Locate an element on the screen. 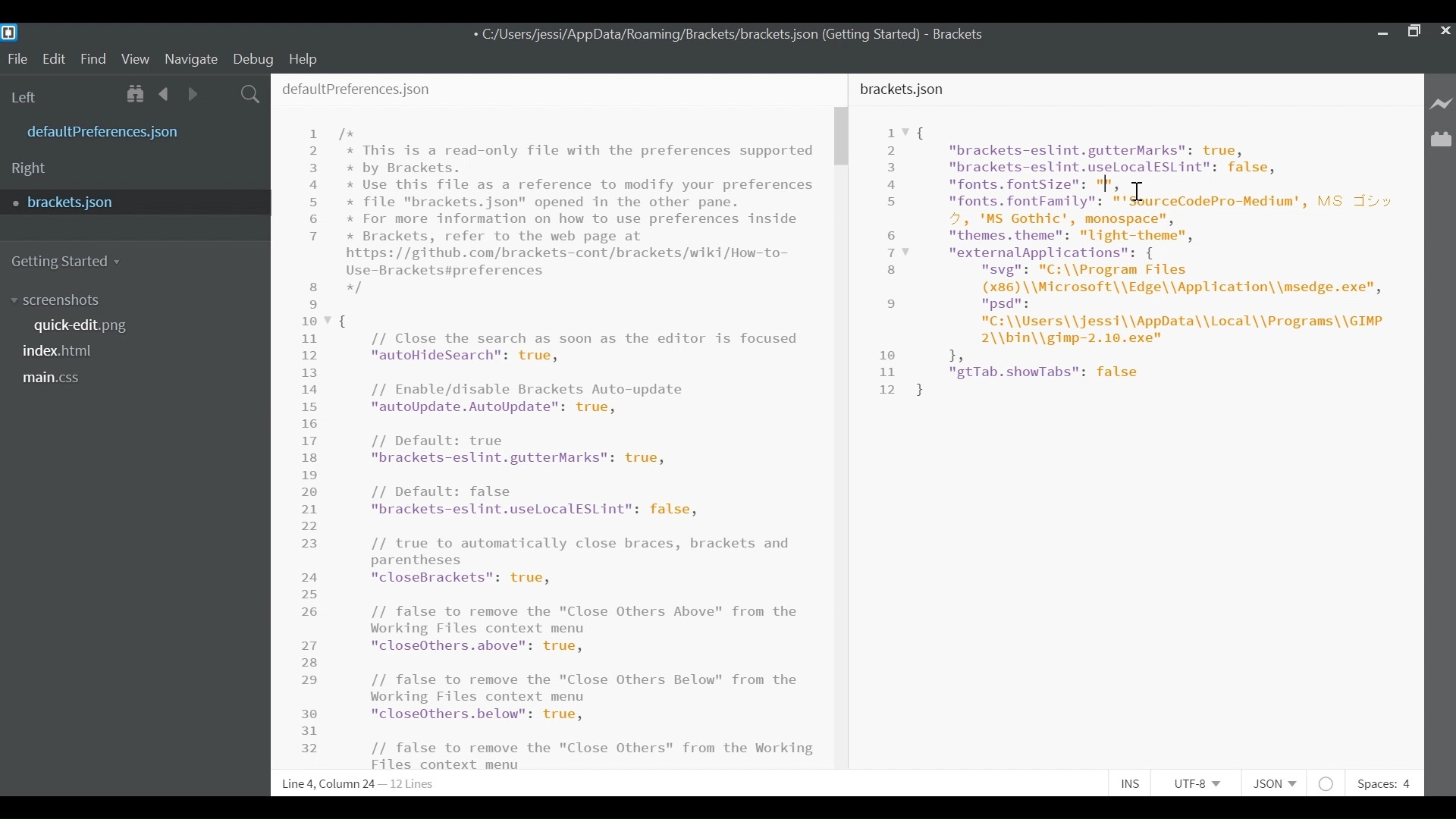 The width and height of the screenshot is (1456, 819). Brackets Desktop Icon is located at coordinates (11, 32).